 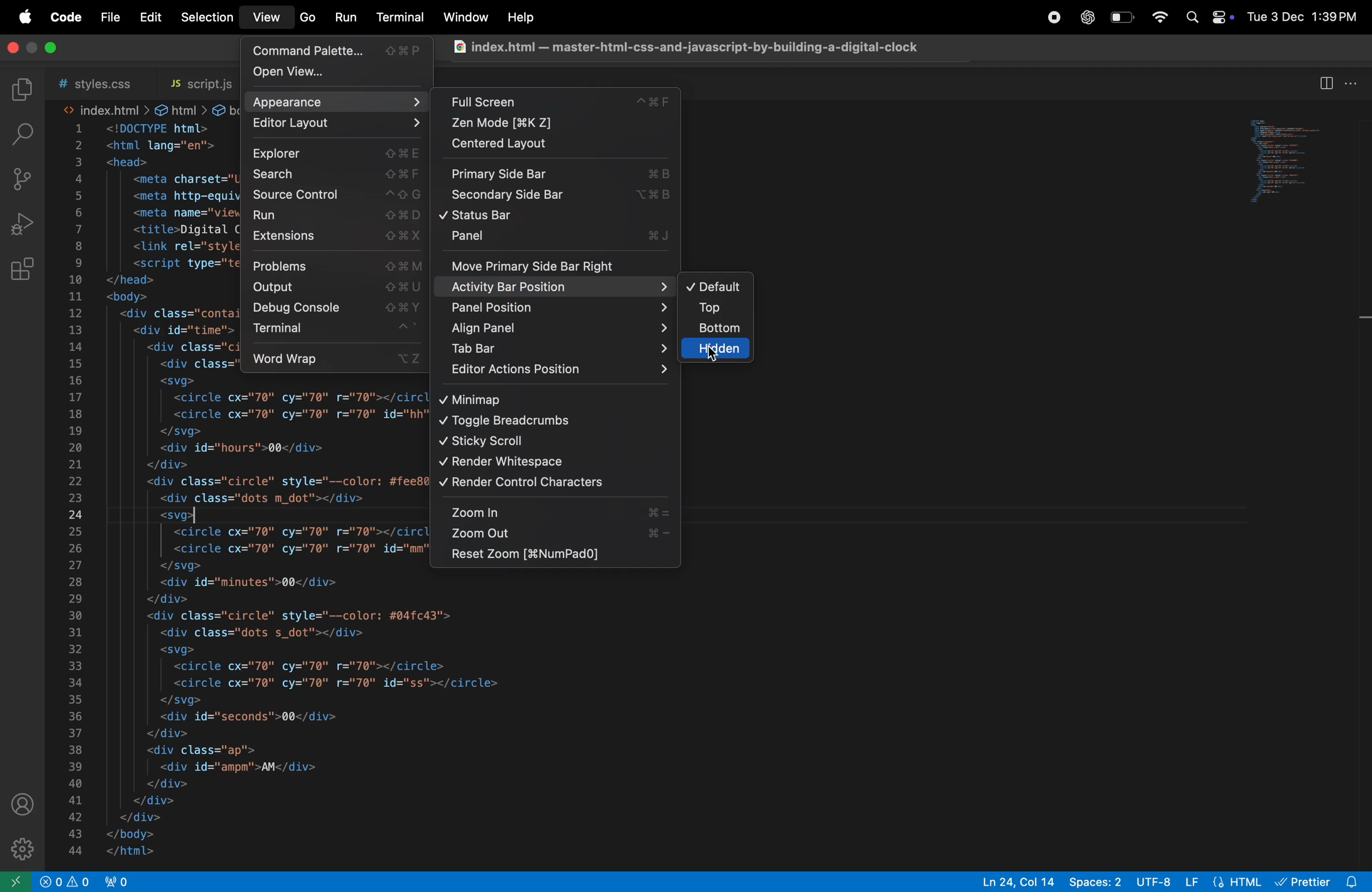 I want to click on minimap, so click(x=539, y=399).